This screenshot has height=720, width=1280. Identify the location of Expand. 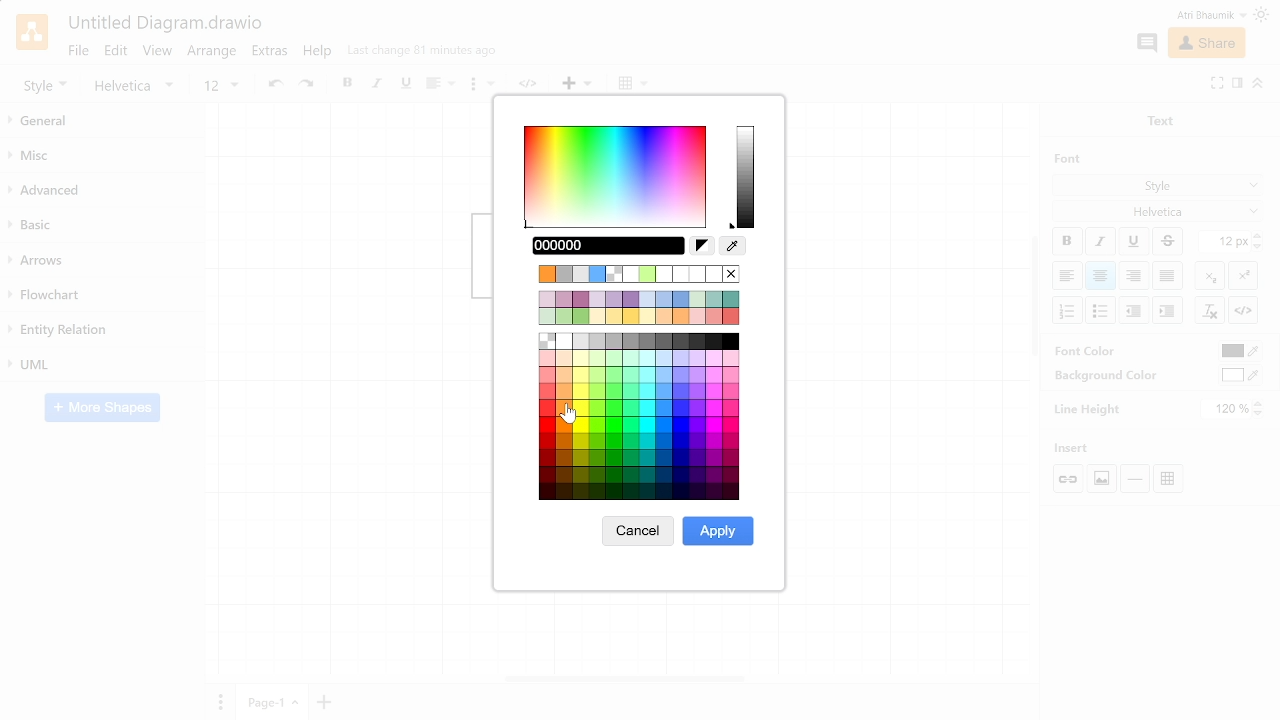
(1217, 82).